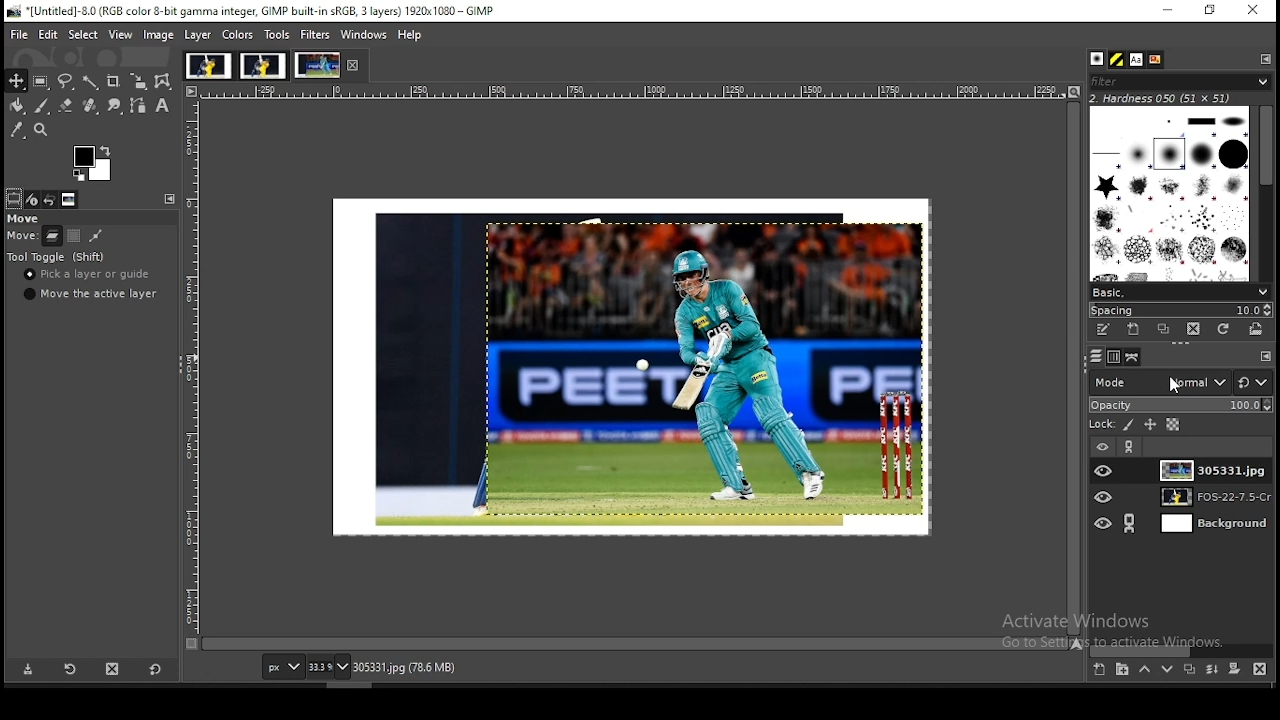 This screenshot has width=1280, height=720. I want to click on duplicate layer, so click(1188, 669).